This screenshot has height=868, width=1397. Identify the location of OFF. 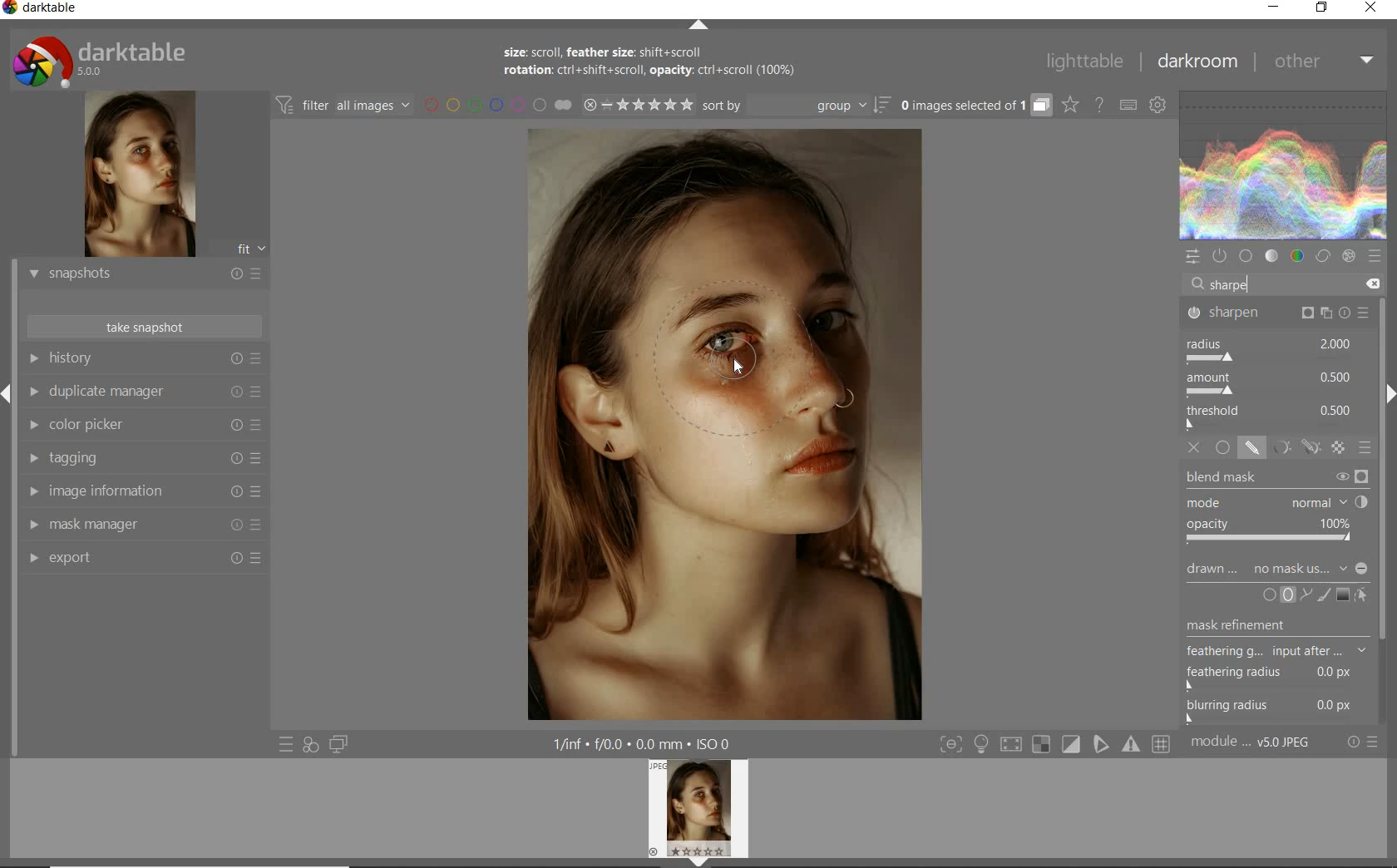
(1195, 447).